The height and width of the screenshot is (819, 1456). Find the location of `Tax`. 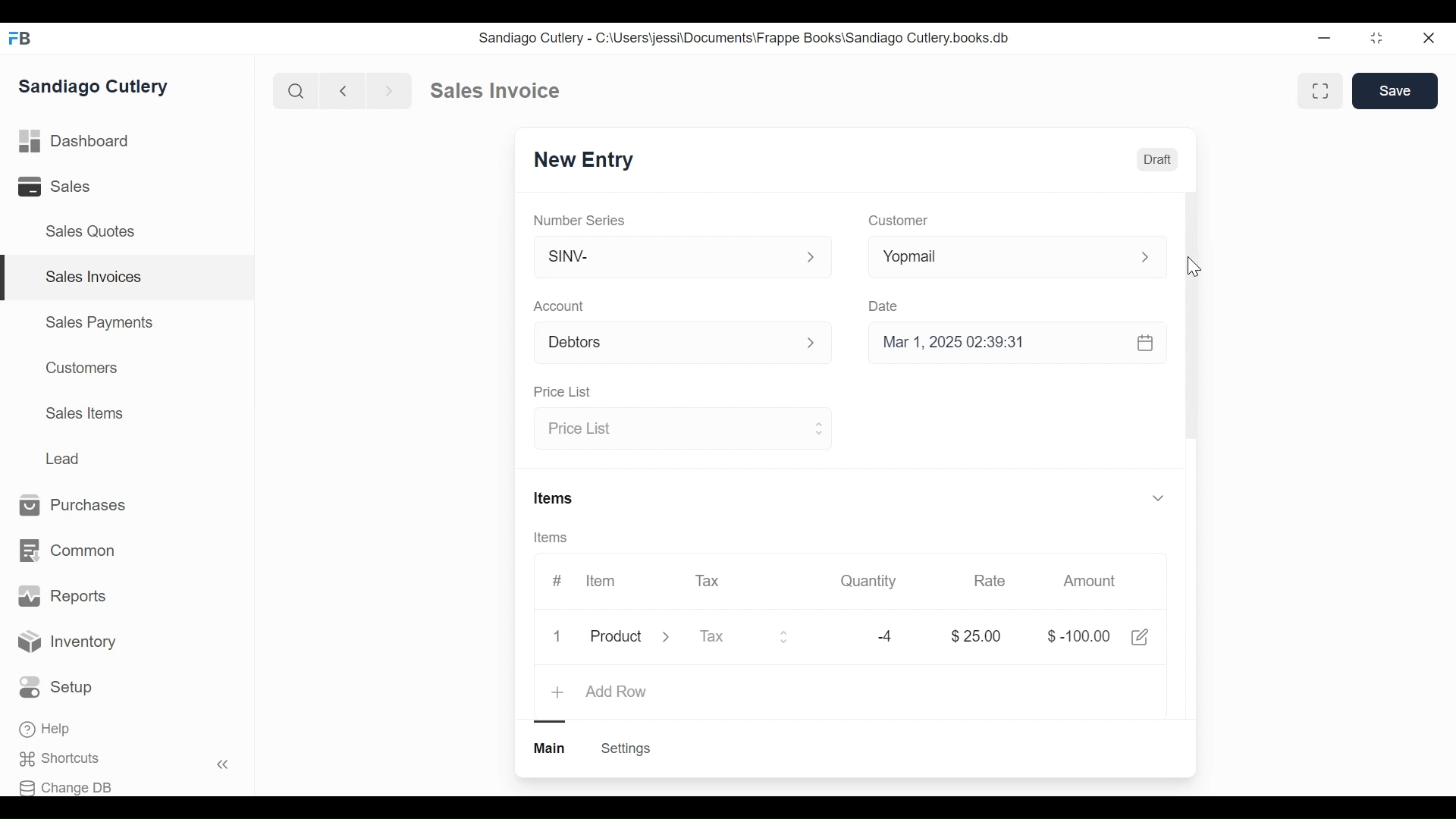

Tax is located at coordinates (706, 582).